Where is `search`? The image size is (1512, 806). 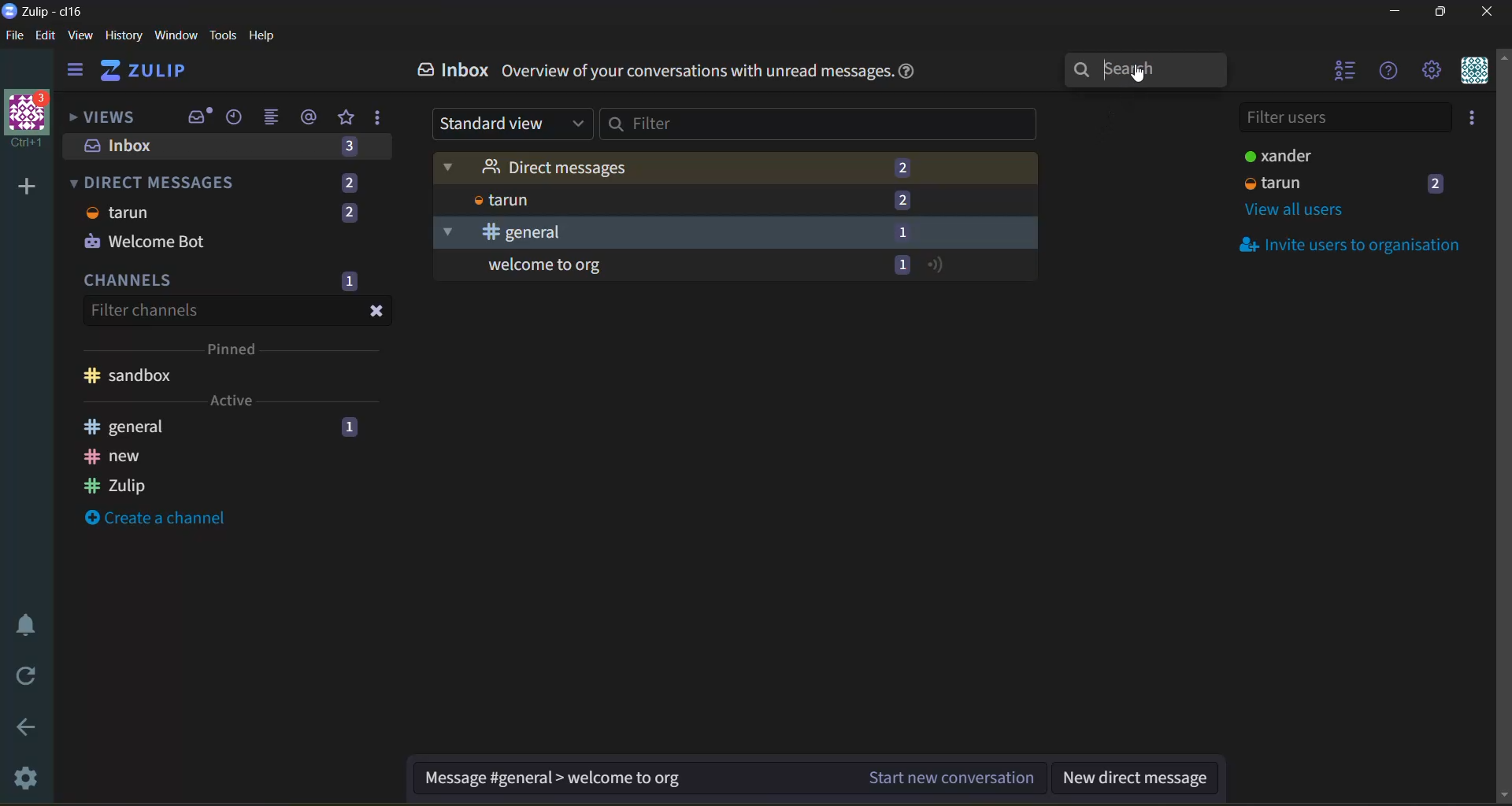
search is located at coordinates (1142, 74).